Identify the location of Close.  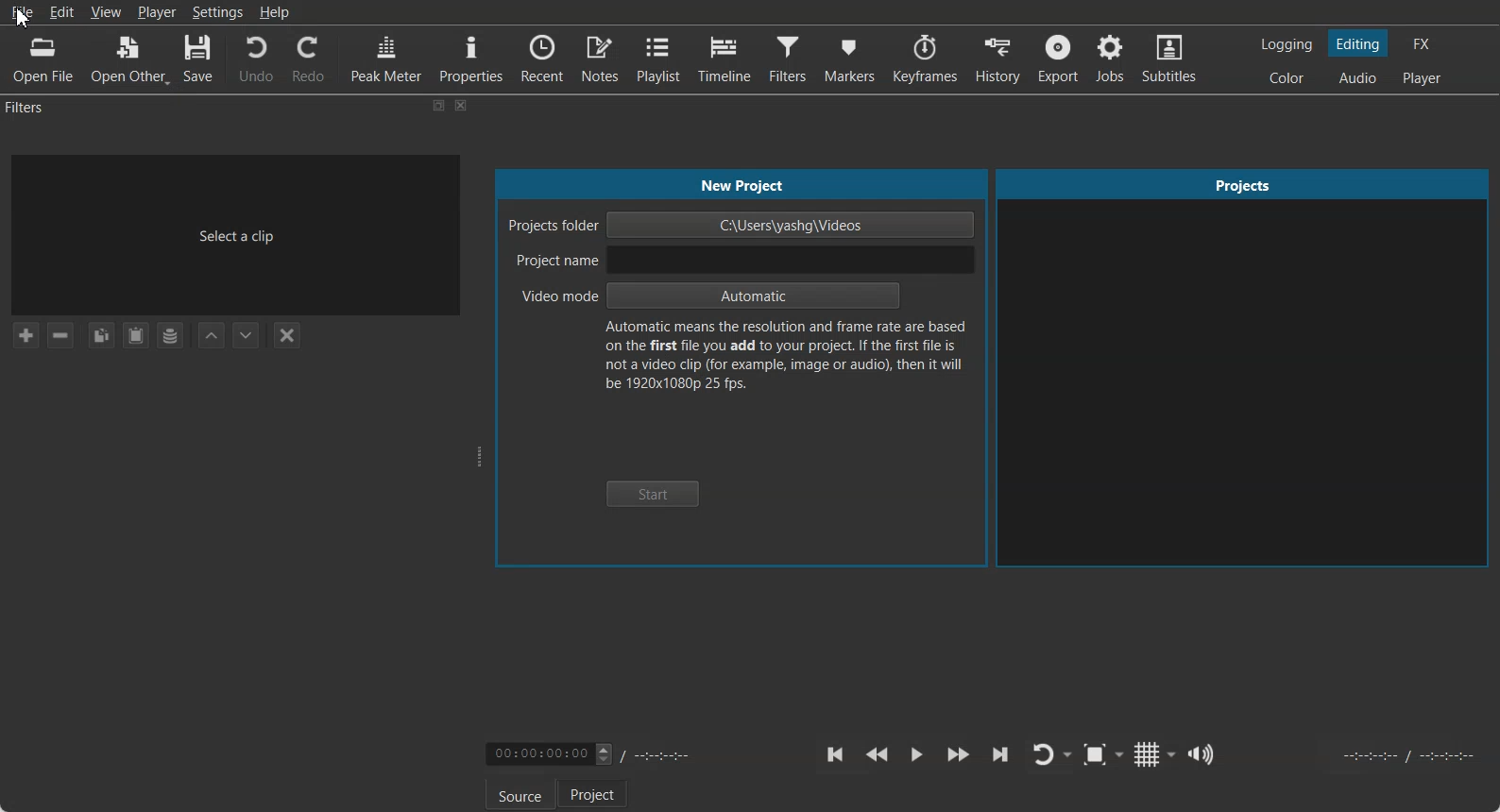
(462, 105).